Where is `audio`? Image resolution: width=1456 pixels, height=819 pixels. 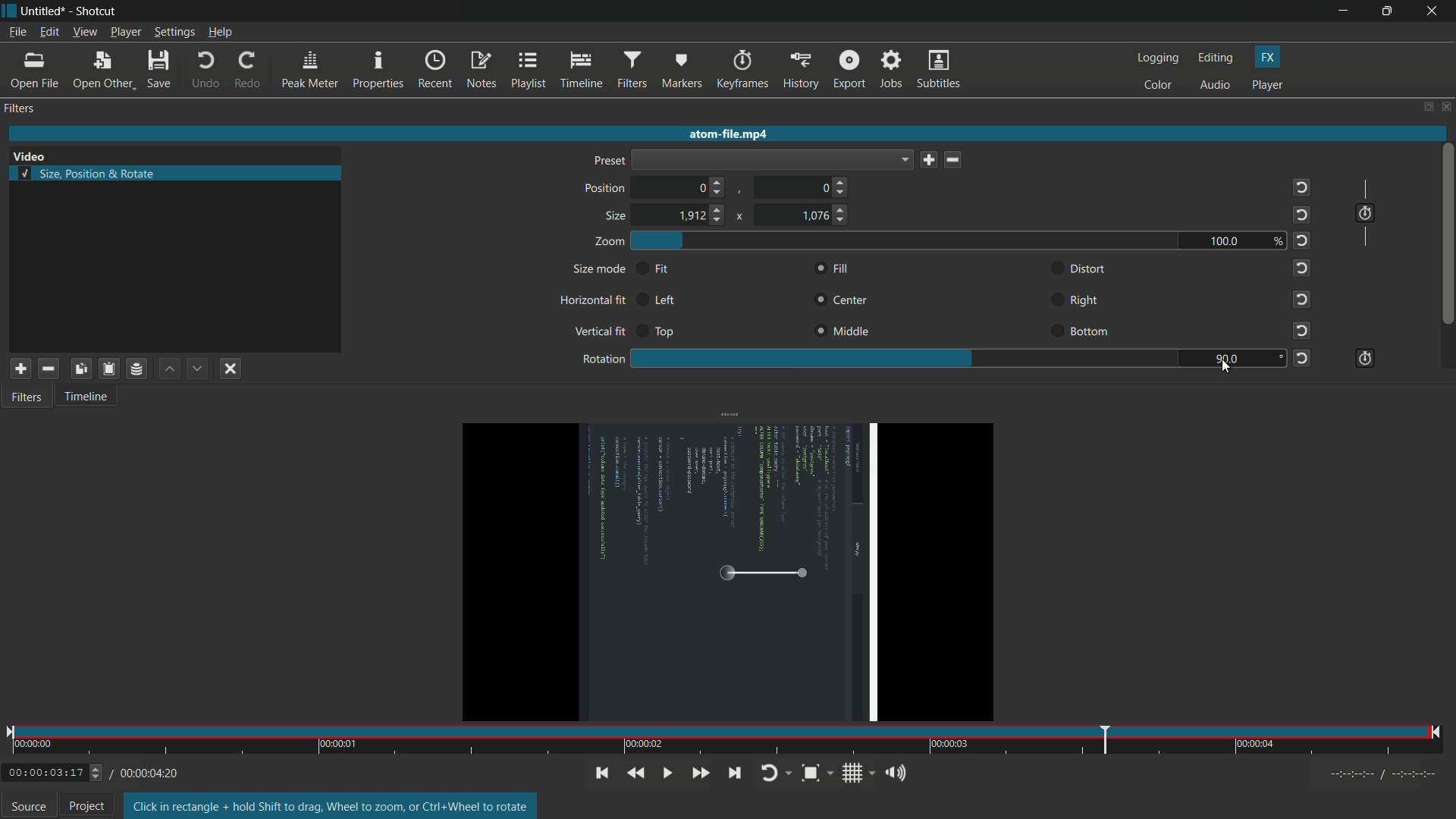 audio is located at coordinates (1216, 86).